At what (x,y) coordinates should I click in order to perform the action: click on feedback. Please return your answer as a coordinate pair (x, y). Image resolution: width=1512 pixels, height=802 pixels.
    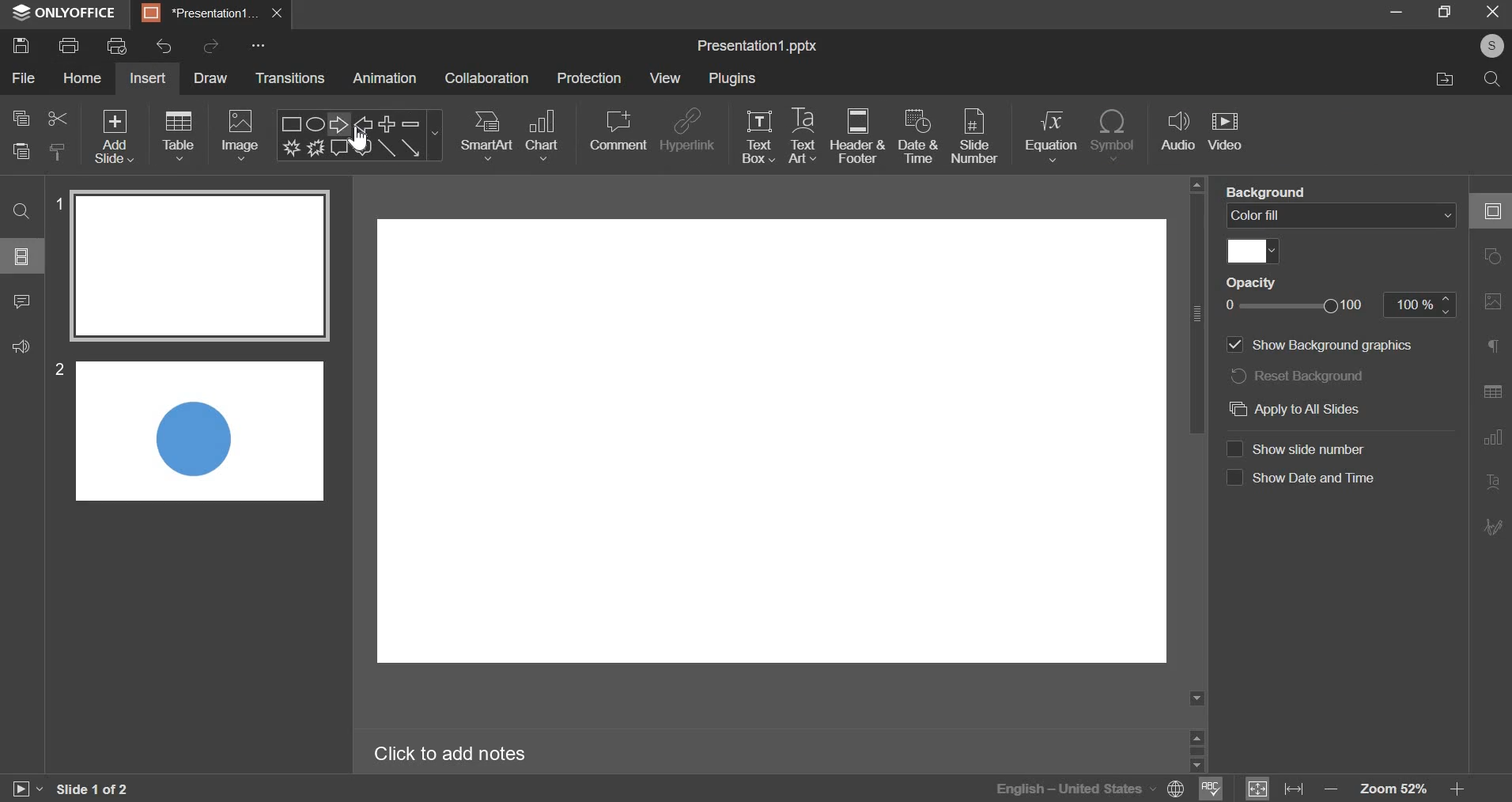
    Looking at the image, I should click on (20, 346).